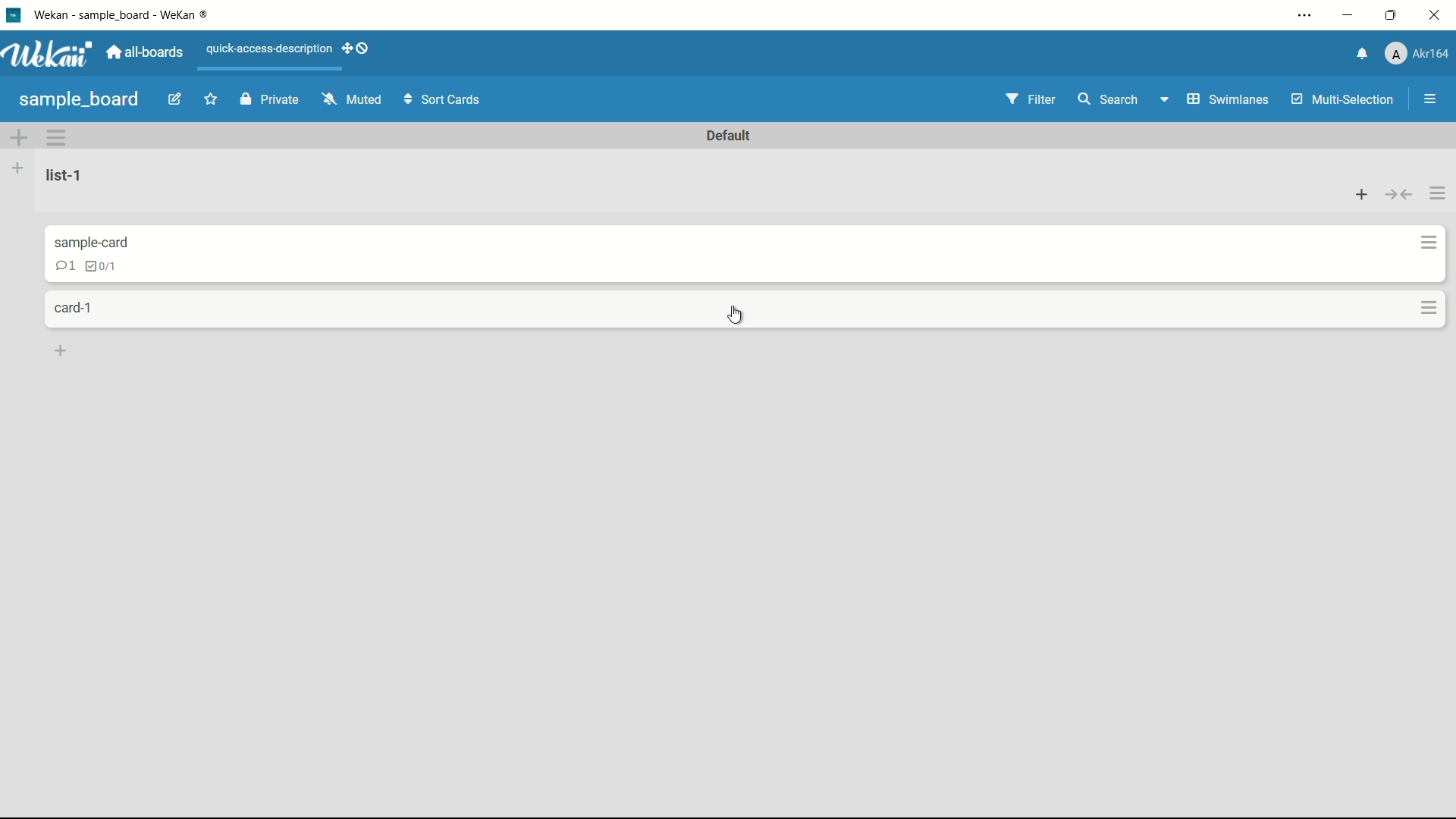 This screenshot has height=819, width=1456. I want to click on favorite, so click(207, 100).